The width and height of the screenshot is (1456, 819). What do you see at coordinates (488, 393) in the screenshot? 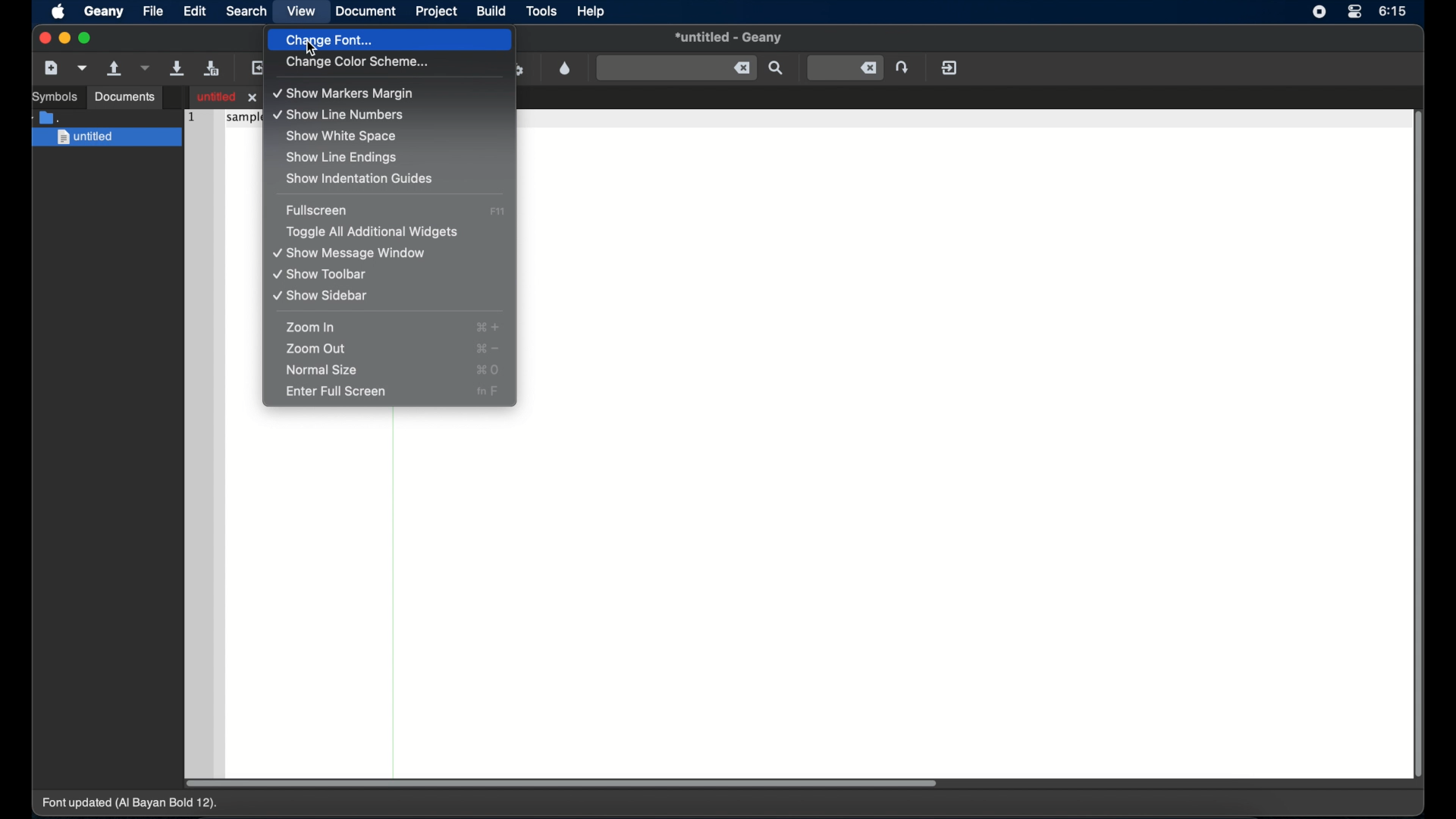
I see `enter full screen shortcut` at bounding box center [488, 393].